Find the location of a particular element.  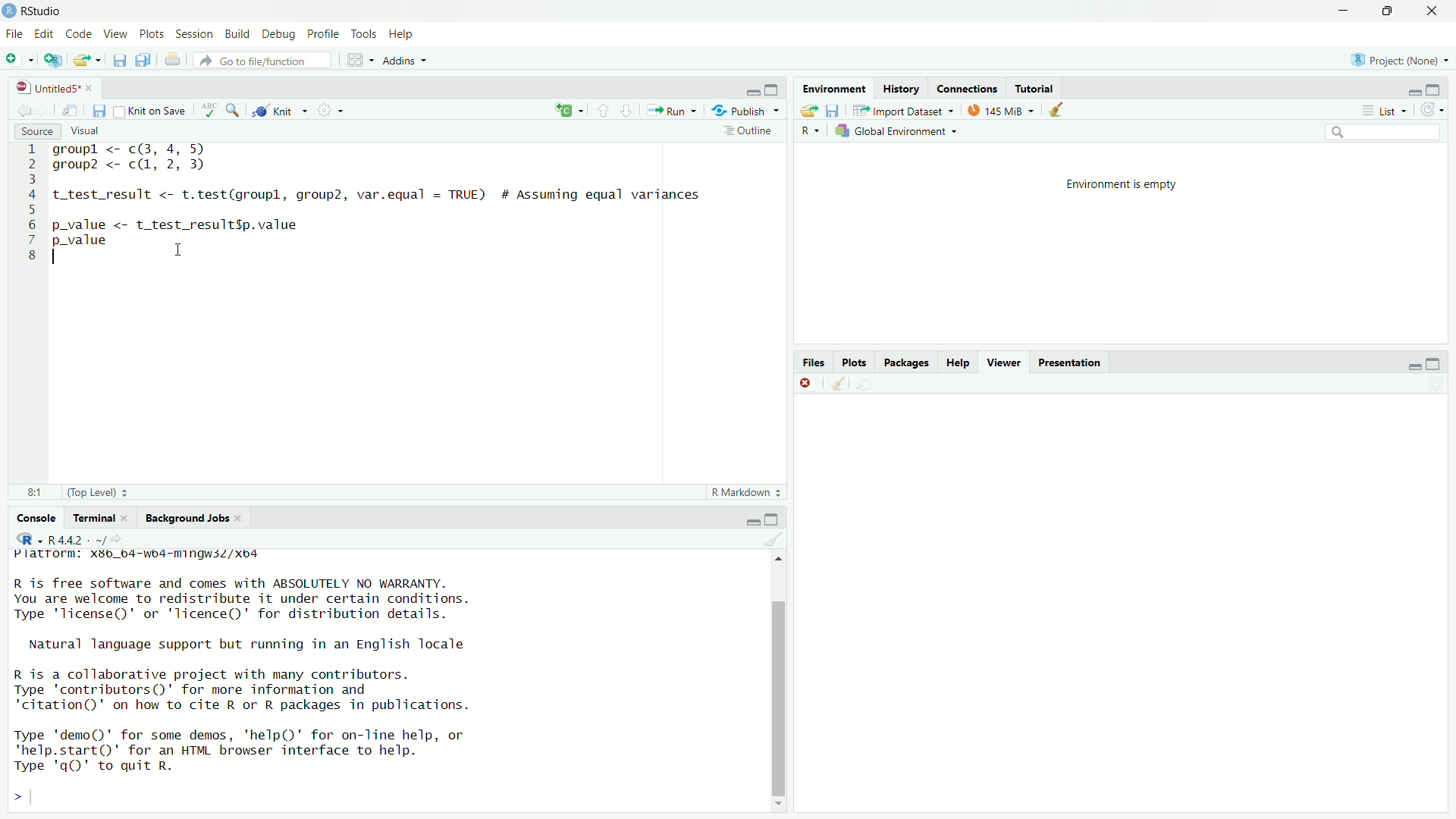

8:1 is located at coordinates (30, 492).